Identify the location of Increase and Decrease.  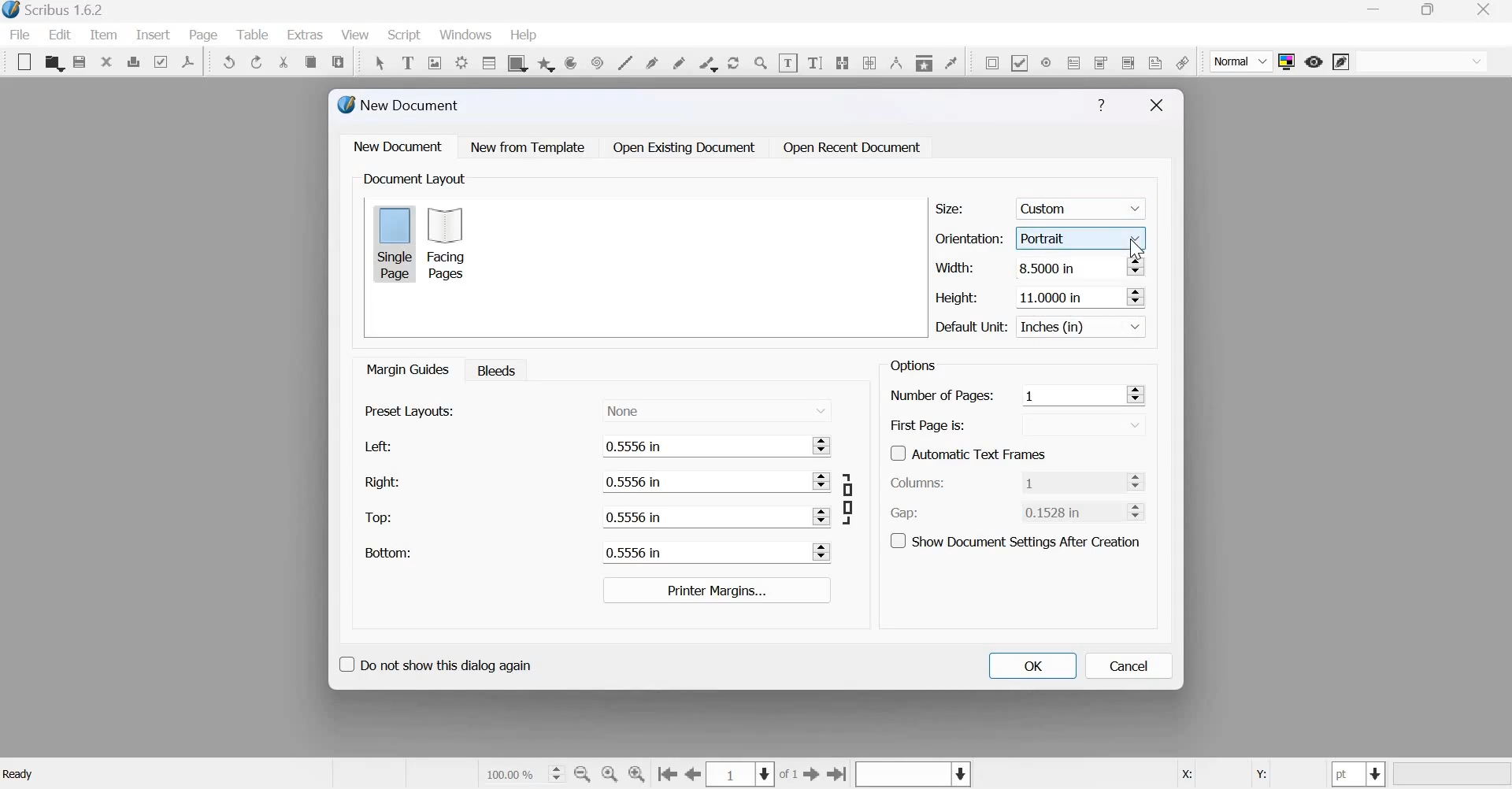
(1134, 267).